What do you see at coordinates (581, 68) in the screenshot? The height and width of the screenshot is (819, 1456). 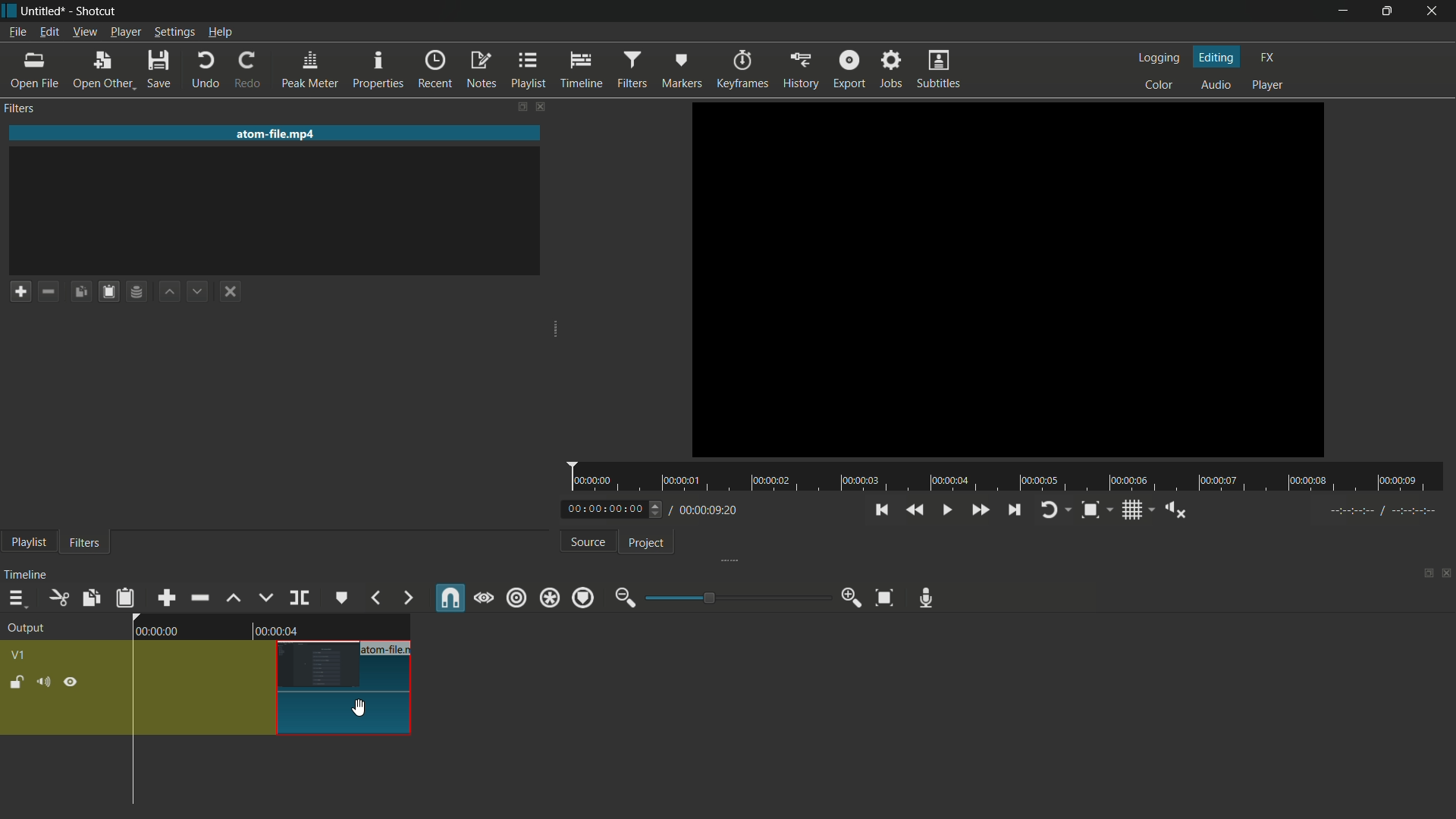 I see `timeline` at bounding box center [581, 68].